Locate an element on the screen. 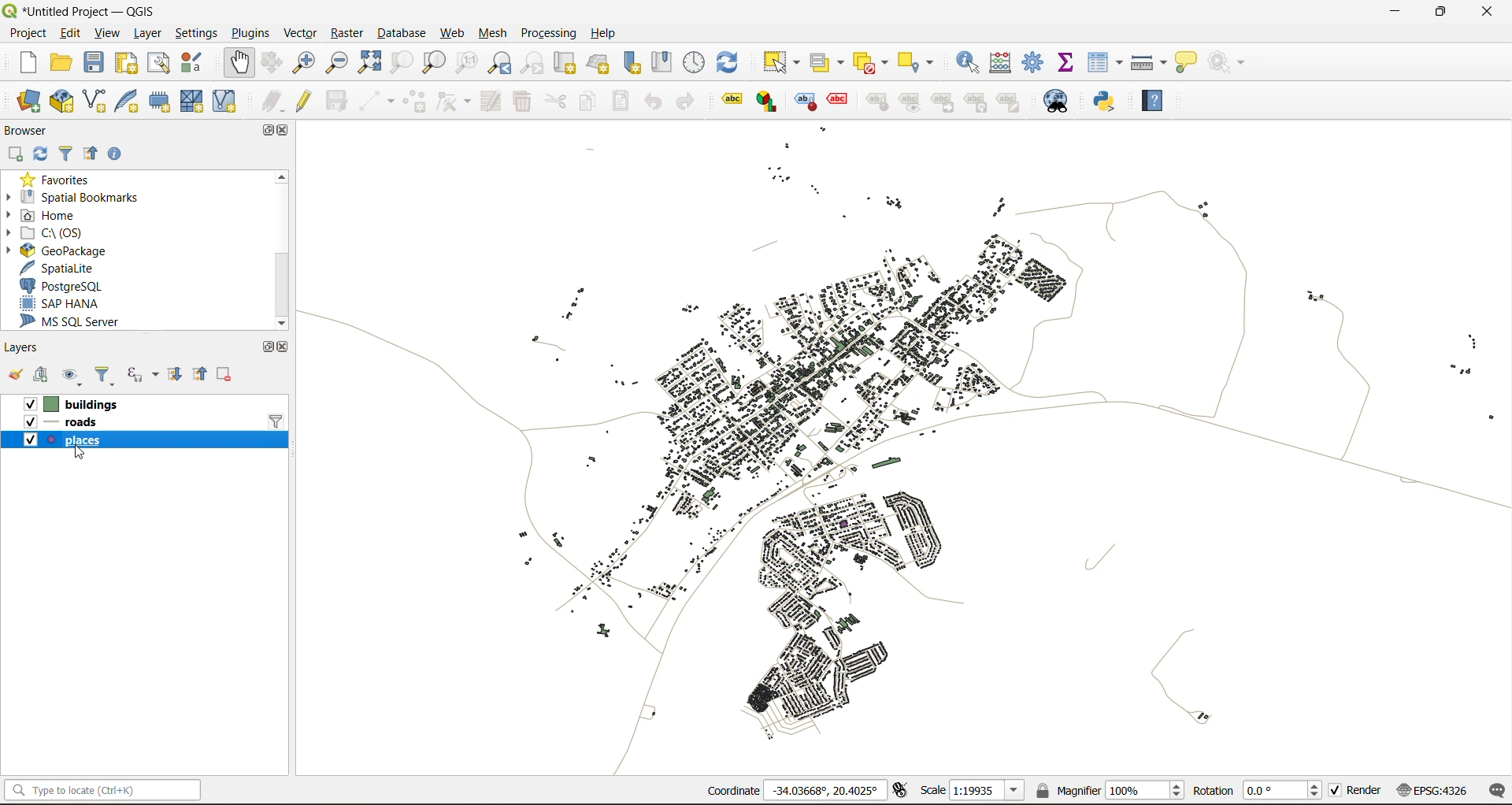 This screenshot has height=805, width=1512. web is located at coordinates (450, 33).